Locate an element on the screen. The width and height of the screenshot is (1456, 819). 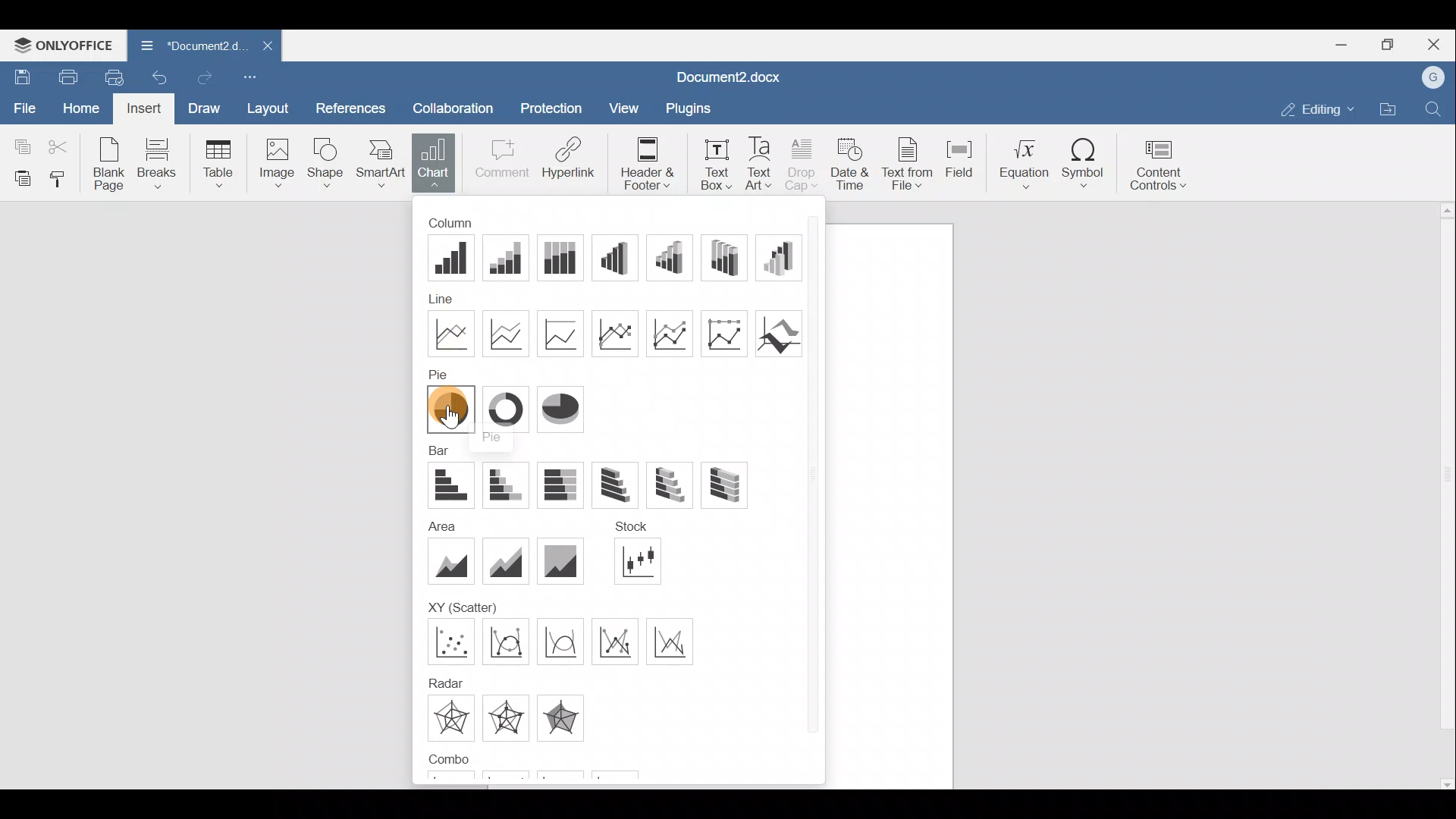
Line is located at coordinates (451, 300).